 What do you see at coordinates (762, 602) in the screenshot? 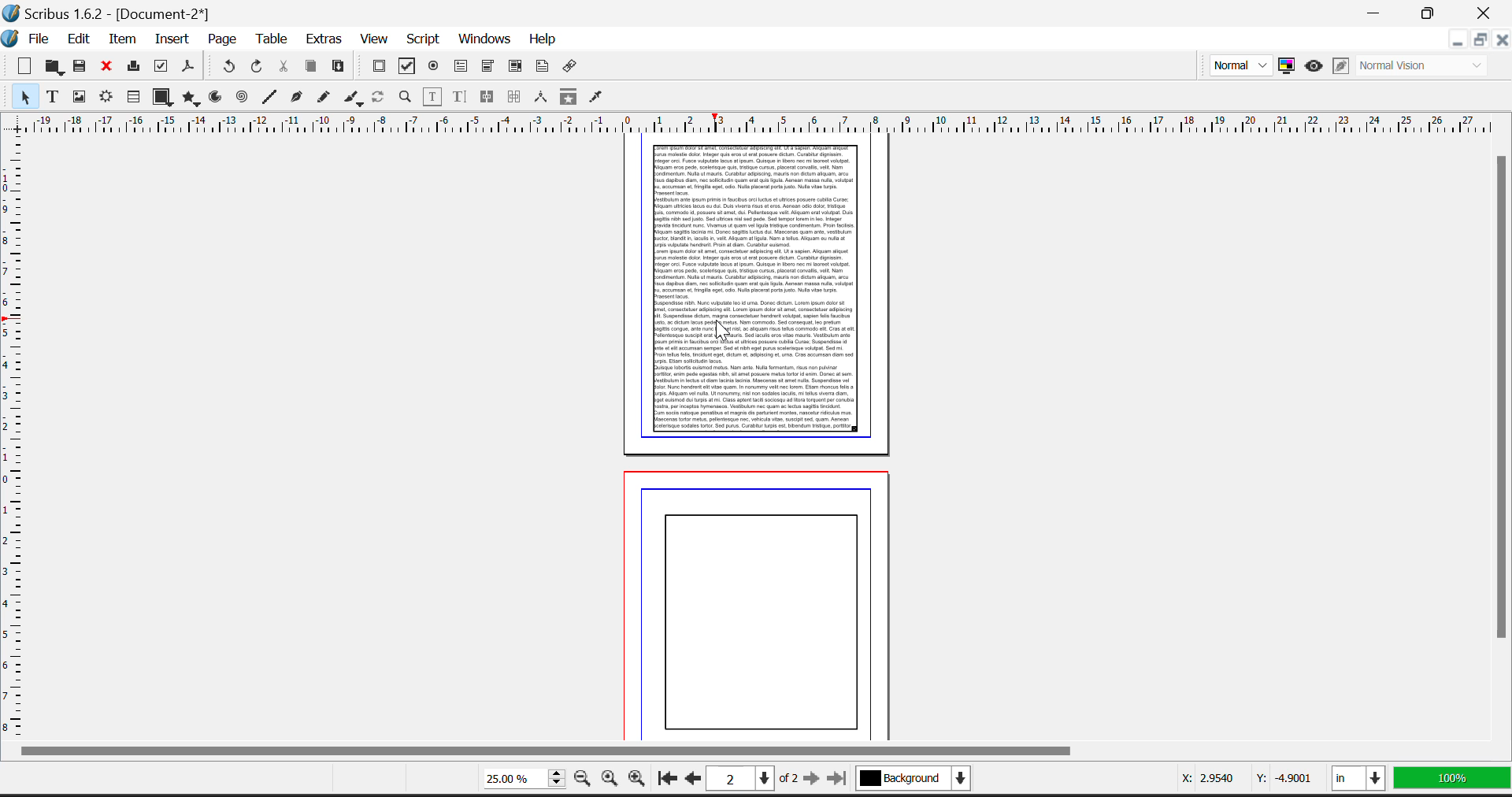
I see `Page 2 without Text Frame` at bounding box center [762, 602].